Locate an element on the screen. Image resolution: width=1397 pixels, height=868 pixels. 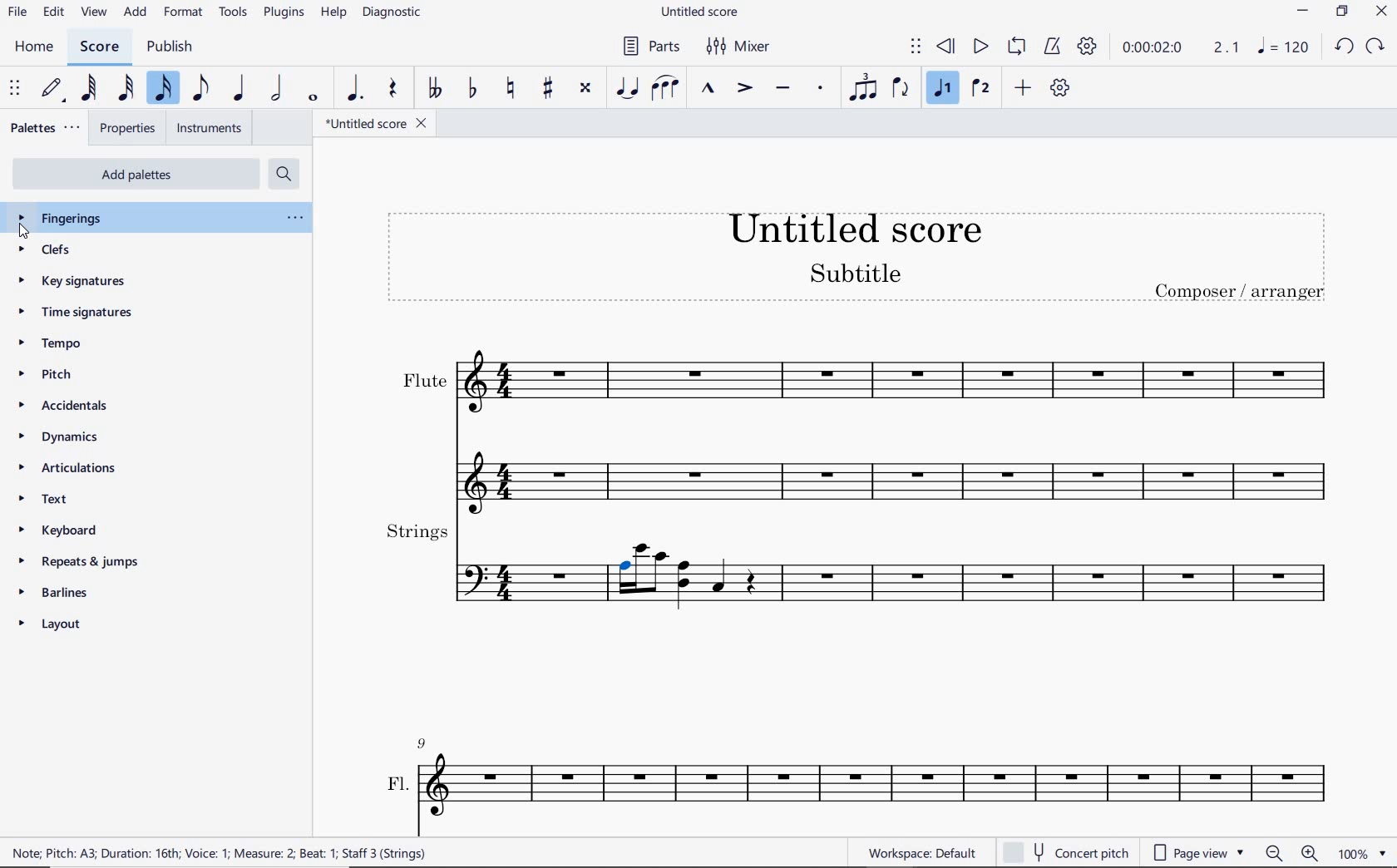
rest is located at coordinates (394, 91).